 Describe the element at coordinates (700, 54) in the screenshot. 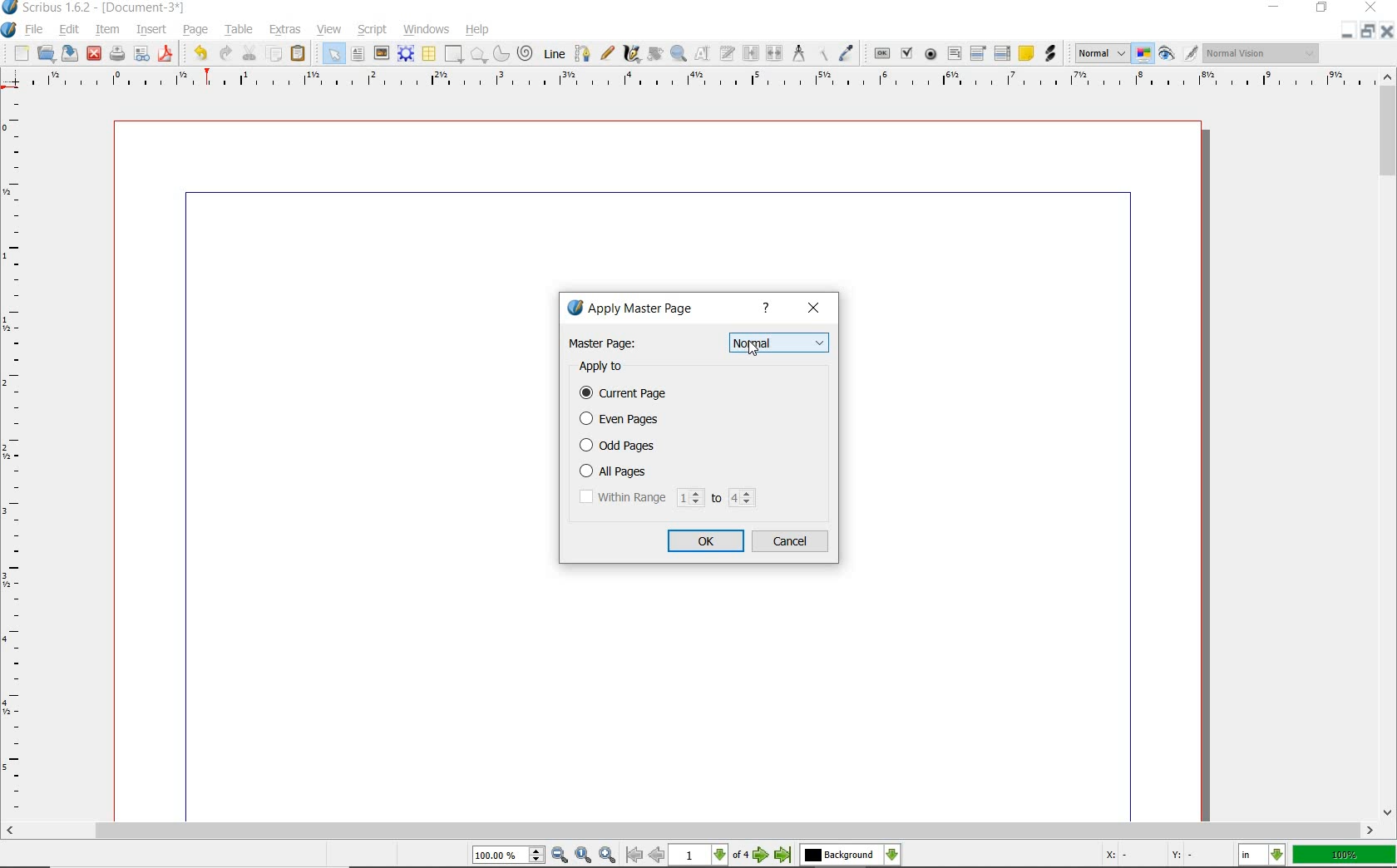

I see `edit contents of frame` at that location.